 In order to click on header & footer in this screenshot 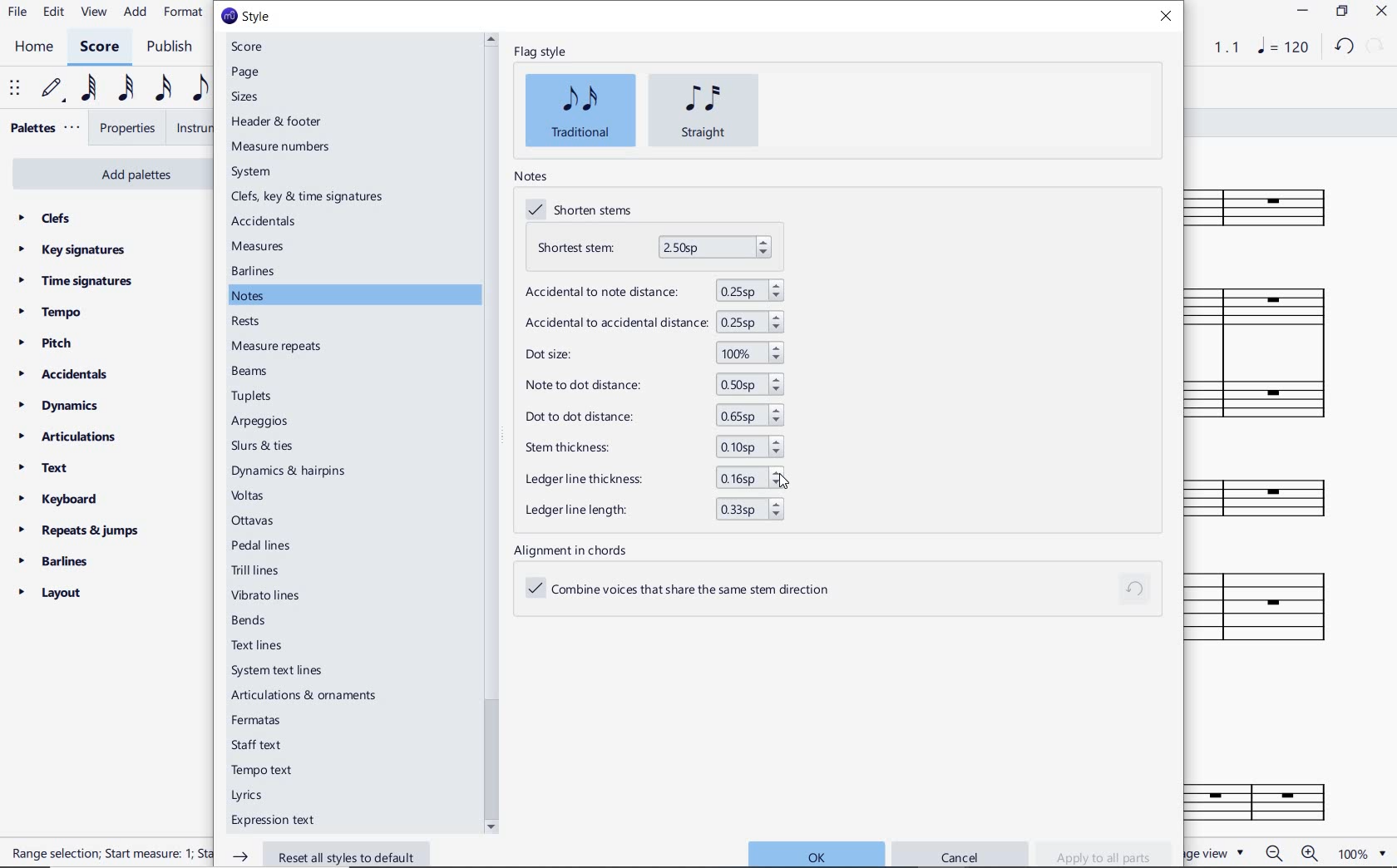, I will do `click(280, 121)`.